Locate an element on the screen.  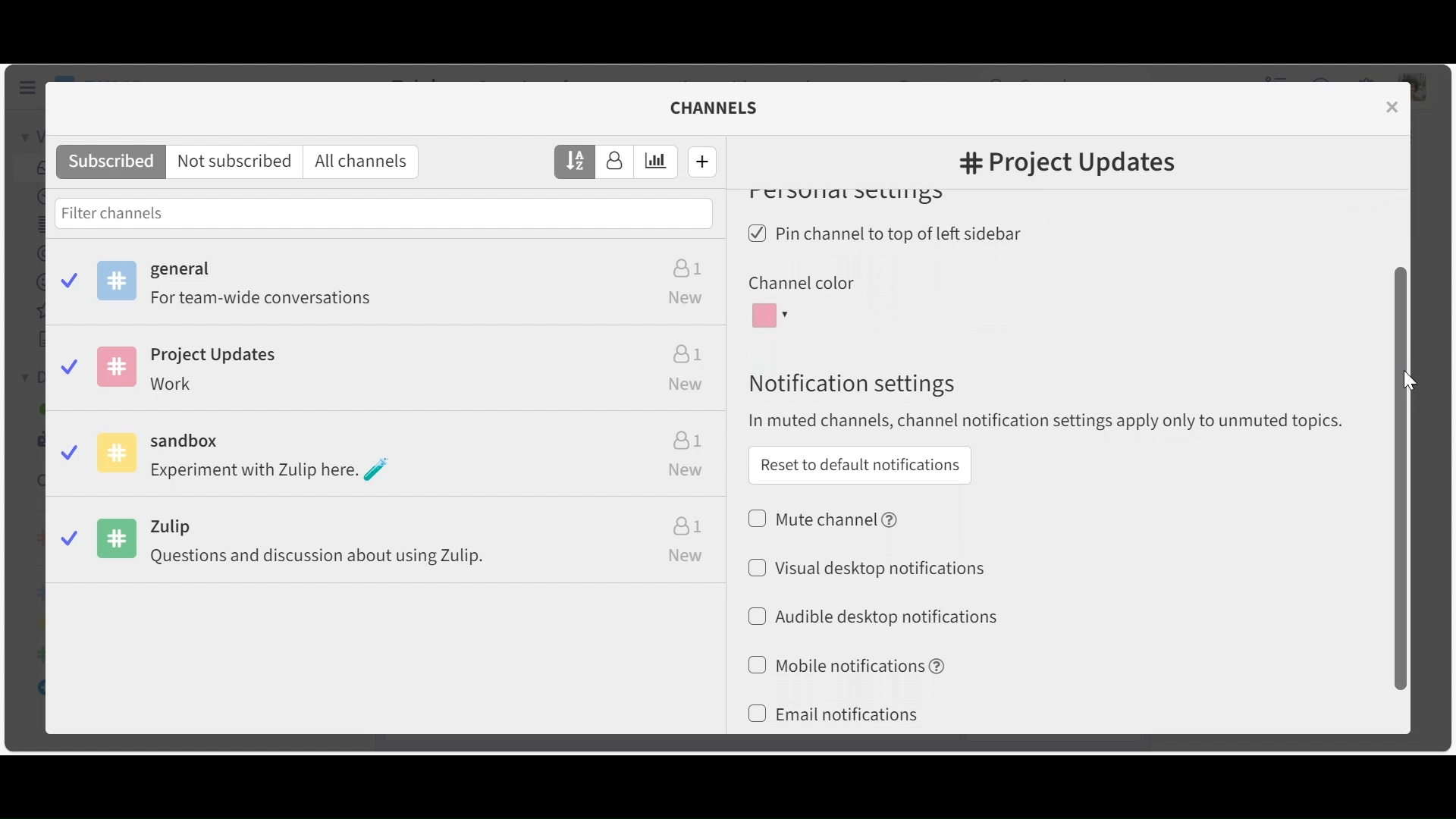
(un)select Pin channel to top left sidebar is located at coordinates (890, 235).